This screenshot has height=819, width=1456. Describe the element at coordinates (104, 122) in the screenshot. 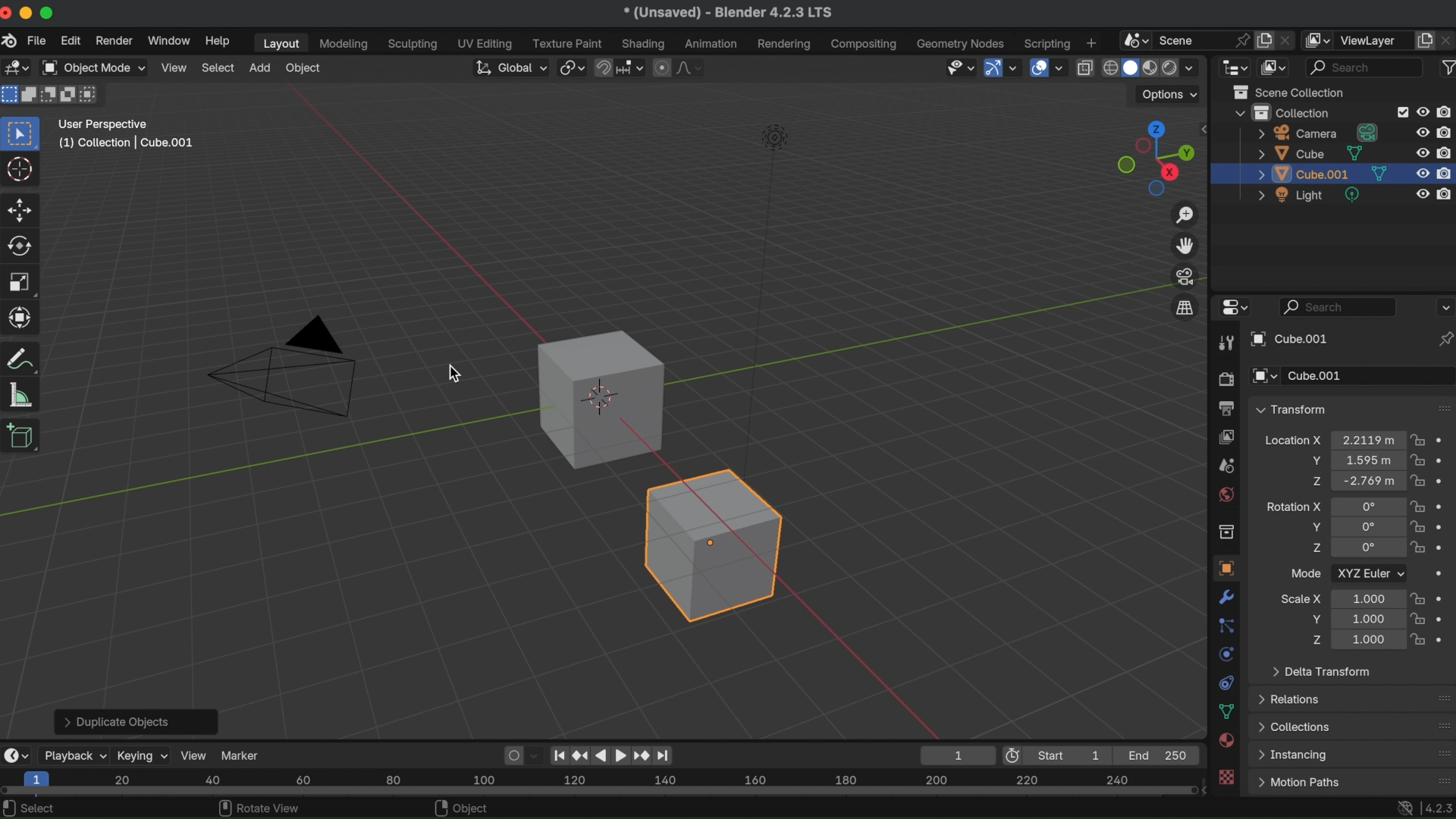

I see `user perspective` at that location.